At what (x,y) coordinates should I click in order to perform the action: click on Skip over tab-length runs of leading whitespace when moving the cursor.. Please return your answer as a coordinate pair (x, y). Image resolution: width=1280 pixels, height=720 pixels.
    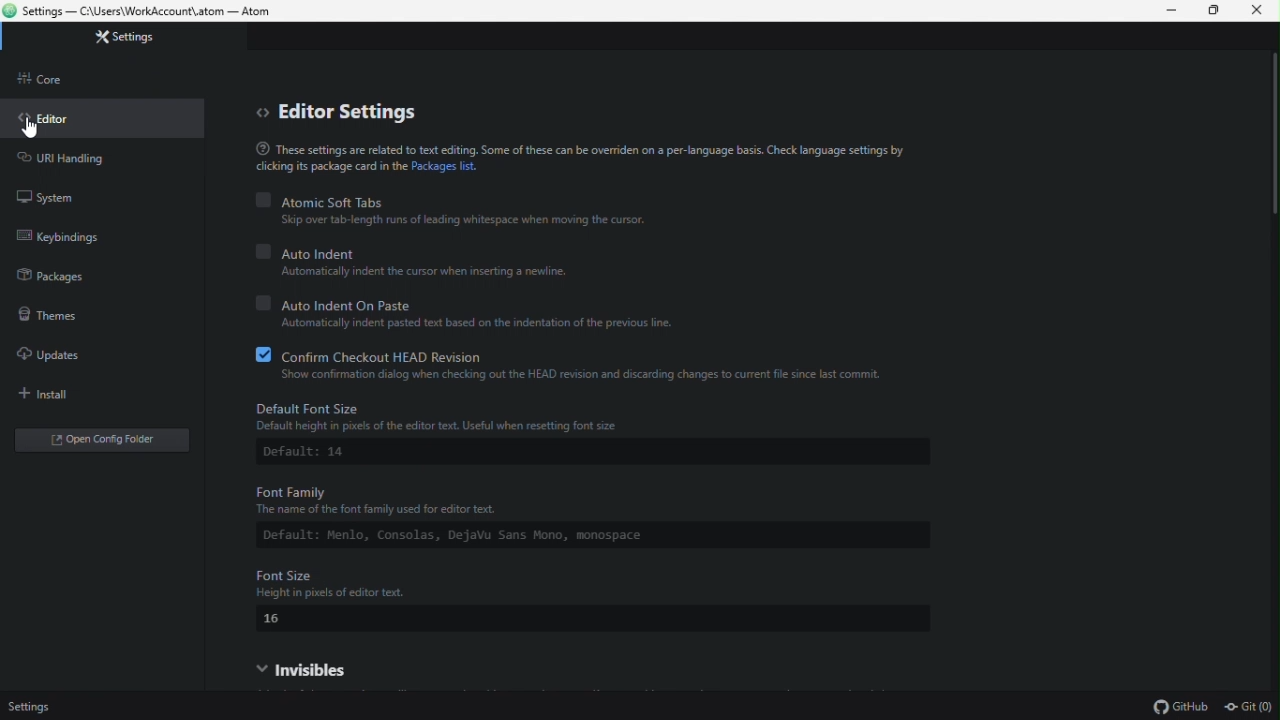
    Looking at the image, I should click on (460, 220).